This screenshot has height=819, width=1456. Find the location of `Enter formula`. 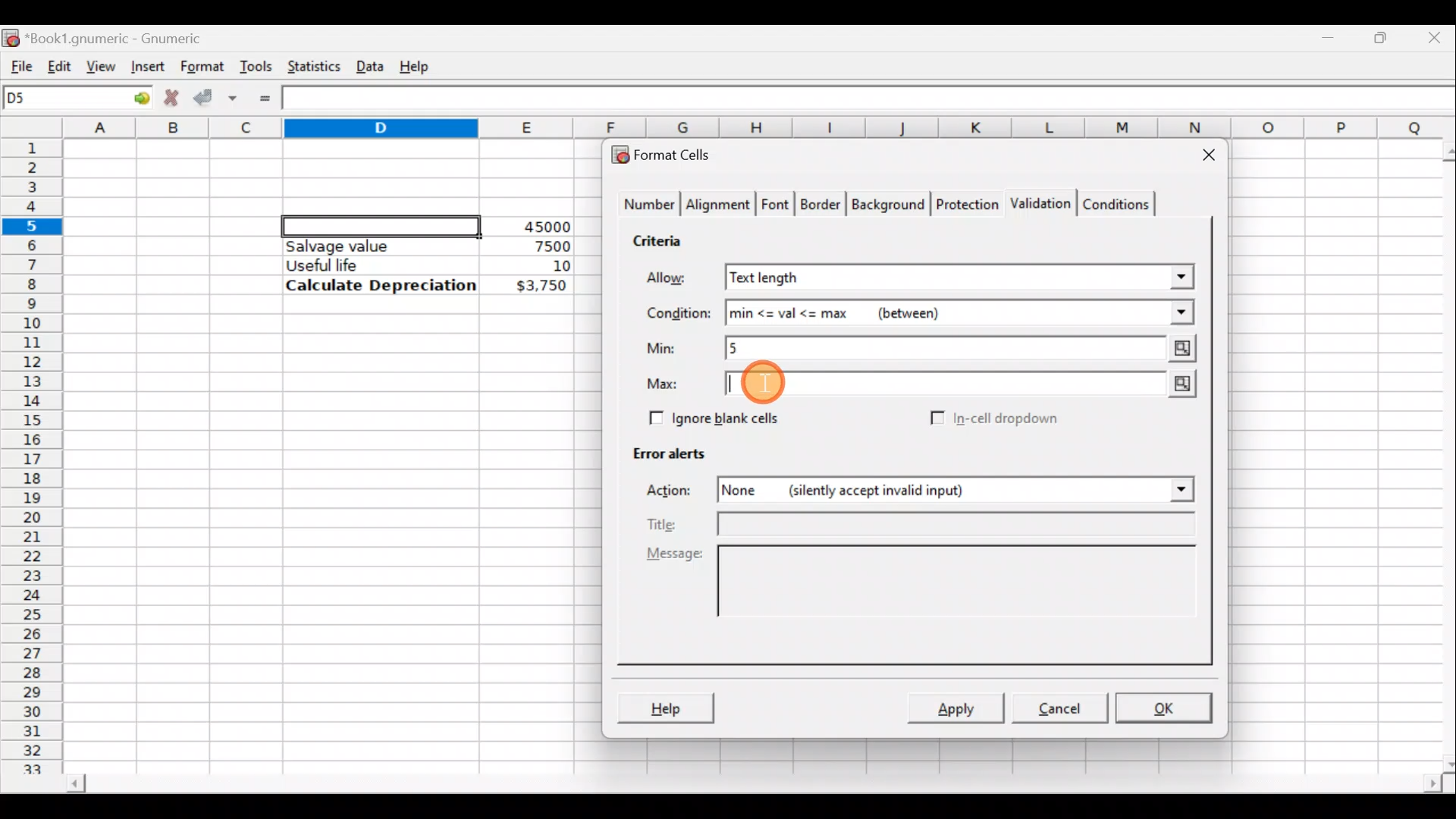

Enter formula is located at coordinates (265, 99).